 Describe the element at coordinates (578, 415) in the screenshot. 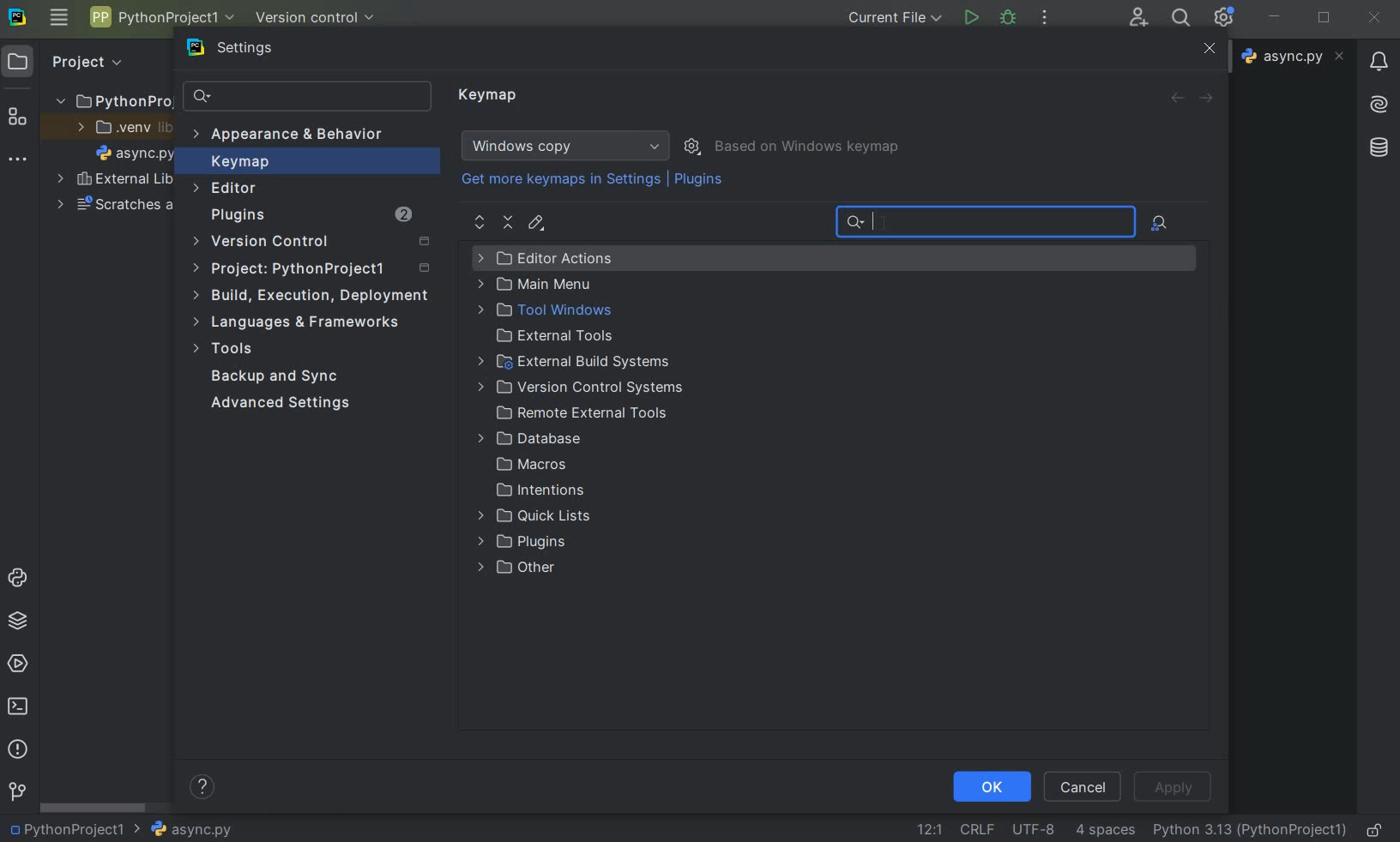

I see `remote external tools` at that location.